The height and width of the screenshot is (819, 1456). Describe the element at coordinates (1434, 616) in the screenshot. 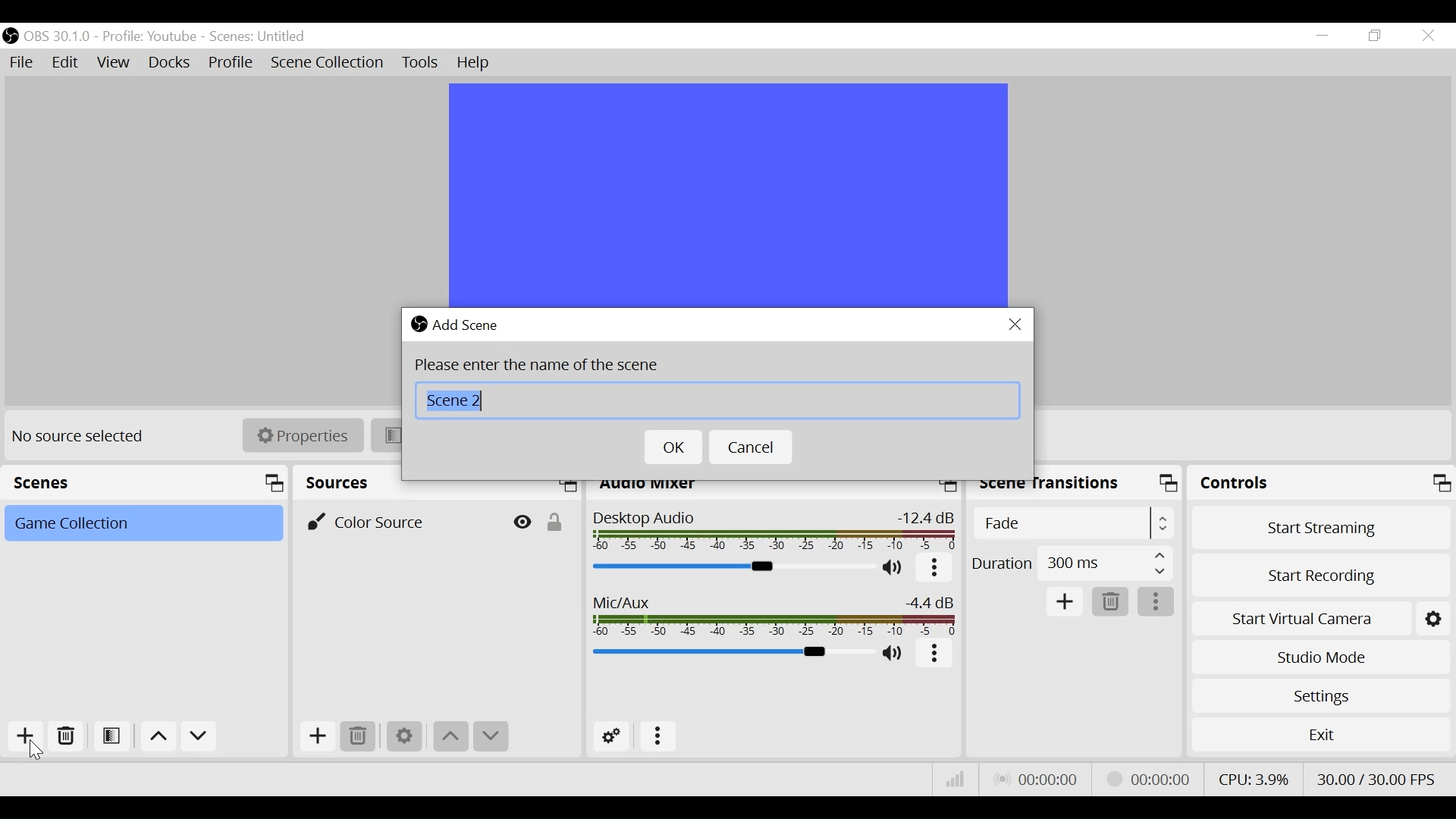

I see `Setting` at that location.